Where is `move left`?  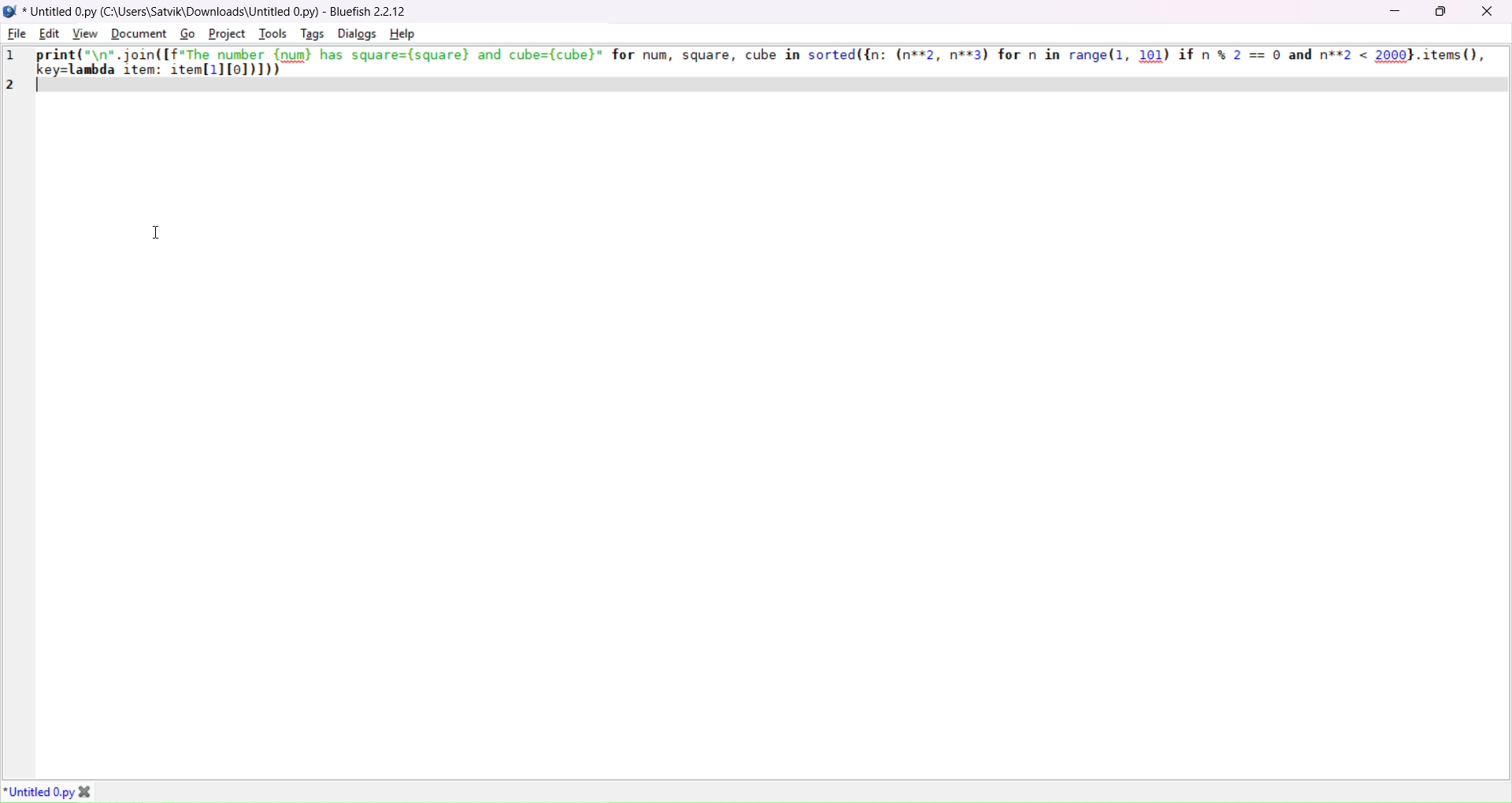 move left is located at coordinates (17, 772).